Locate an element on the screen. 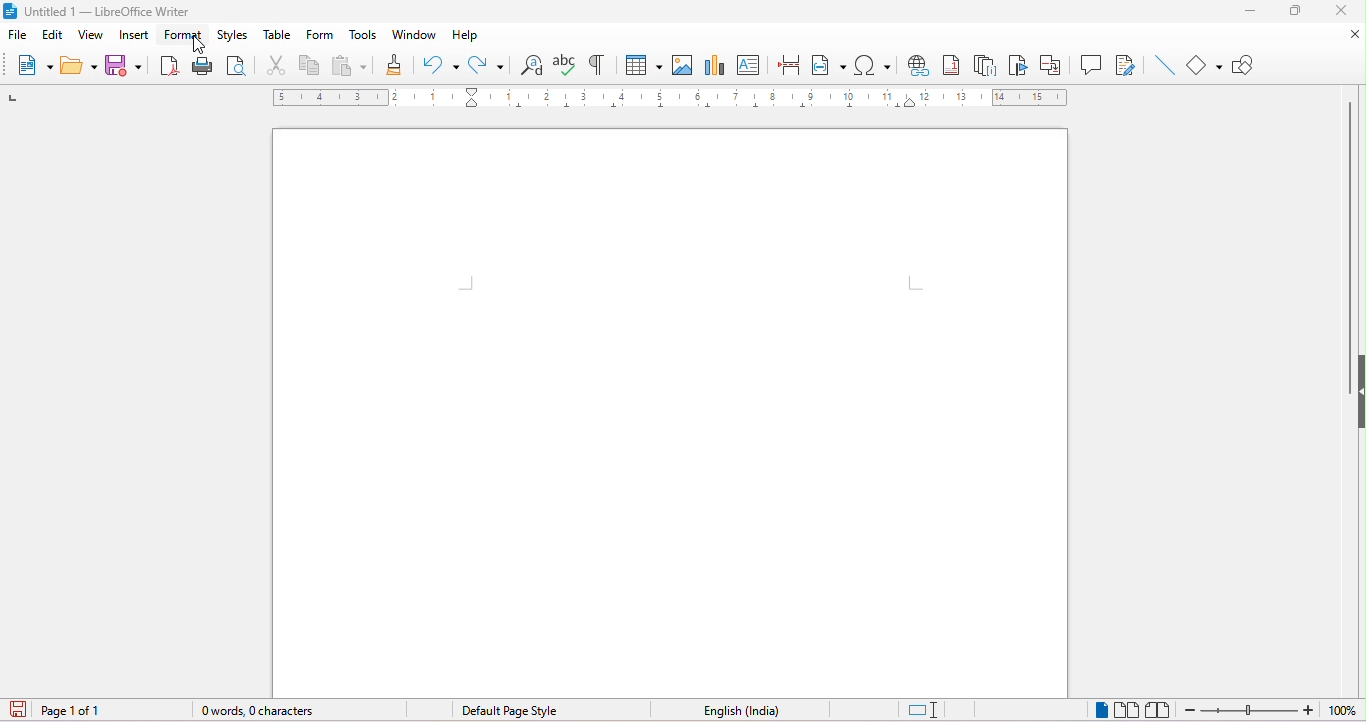 The height and width of the screenshot is (722, 1366). cross reference is located at coordinates (1055, 64).